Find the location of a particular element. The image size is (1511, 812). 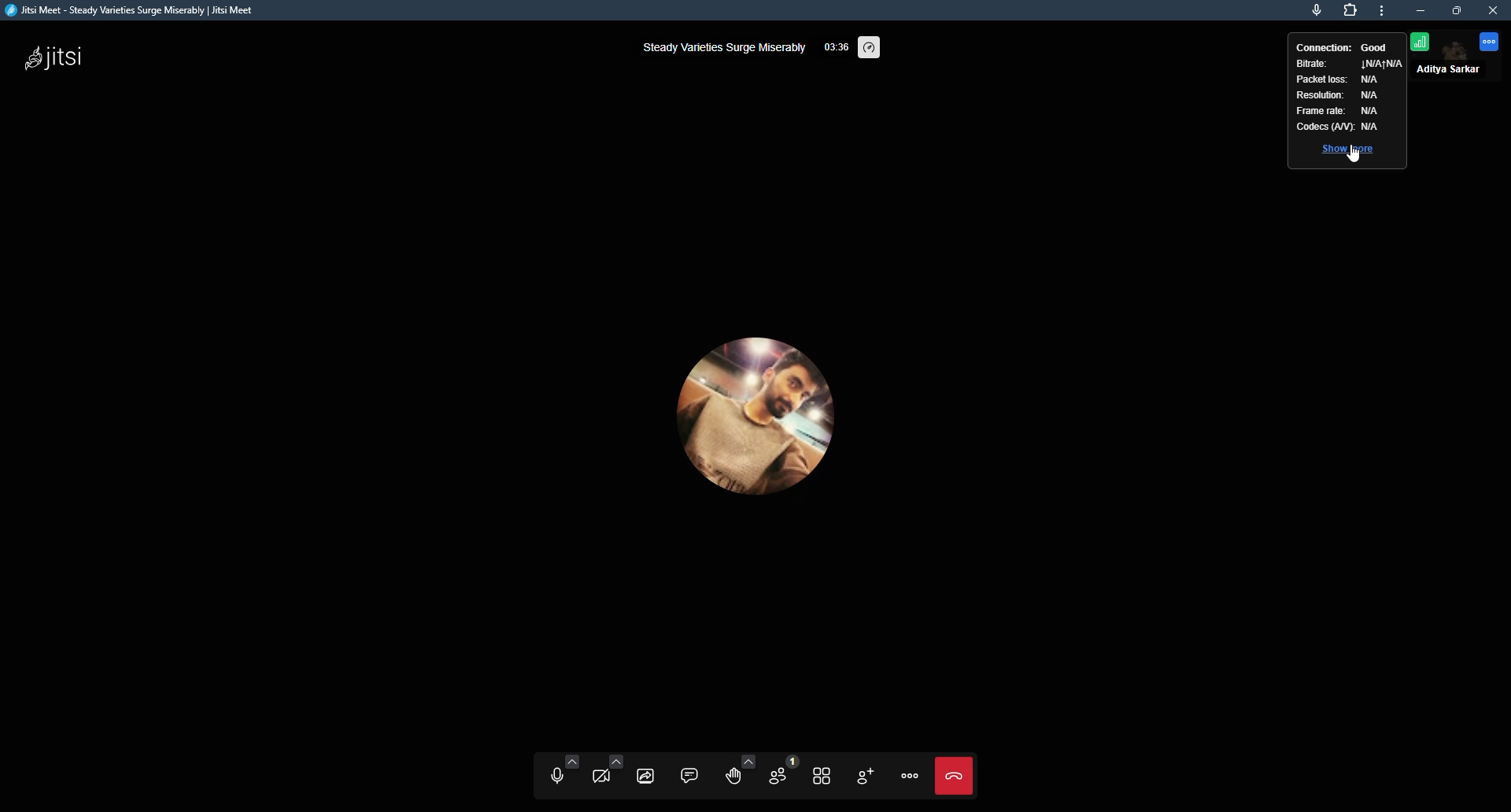

steady variety surge miserably is located at coordinates (722, 52).